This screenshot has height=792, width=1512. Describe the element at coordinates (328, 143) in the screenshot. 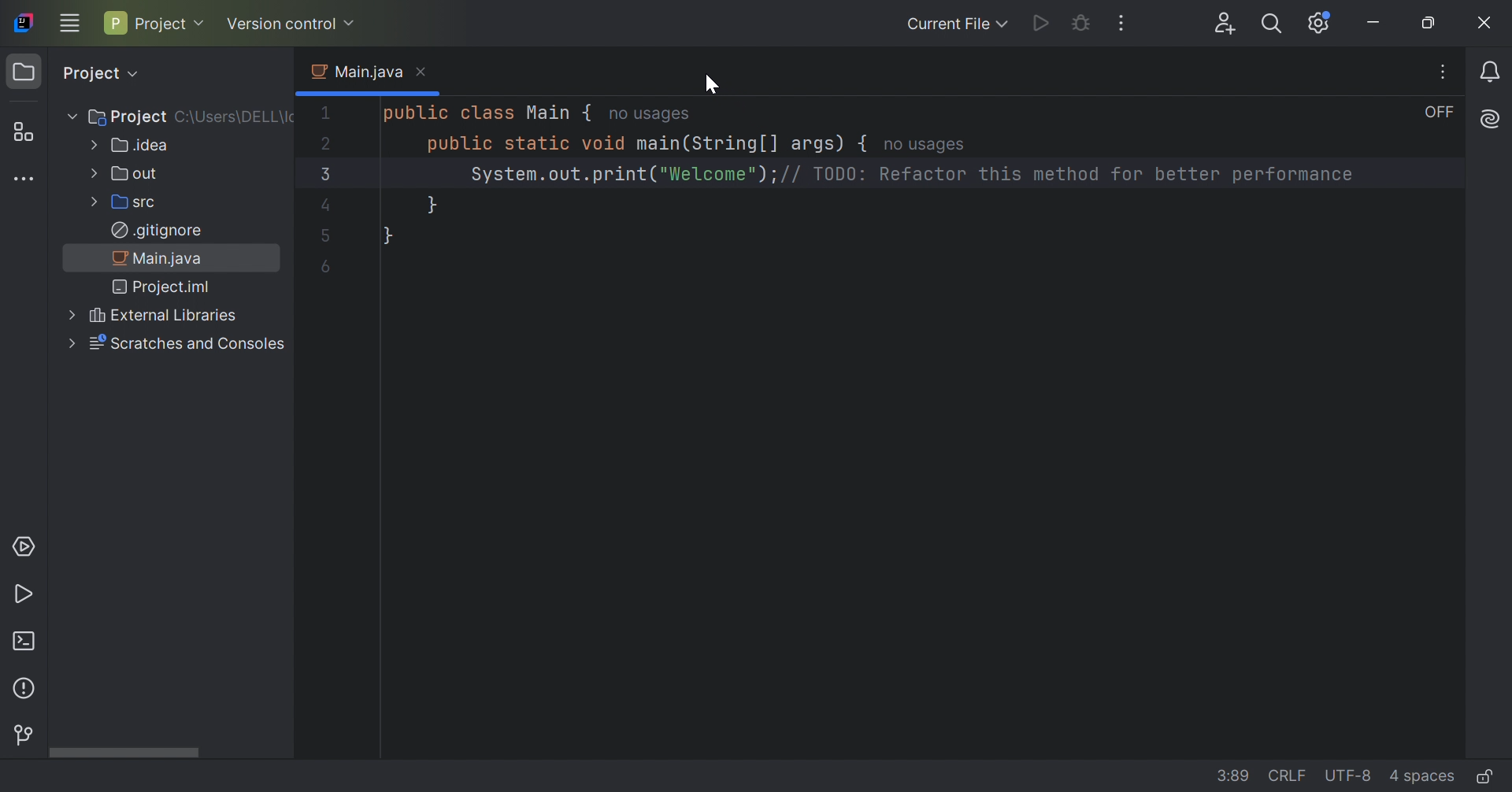

I see `2` at that location.